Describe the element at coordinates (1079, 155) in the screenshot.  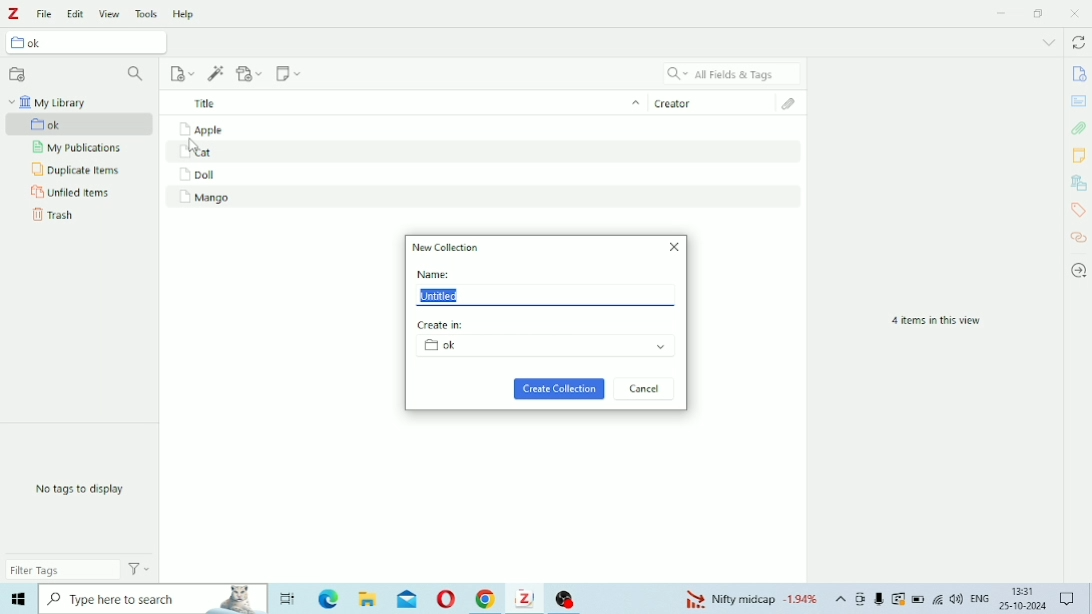
I see `Notes` at that location.